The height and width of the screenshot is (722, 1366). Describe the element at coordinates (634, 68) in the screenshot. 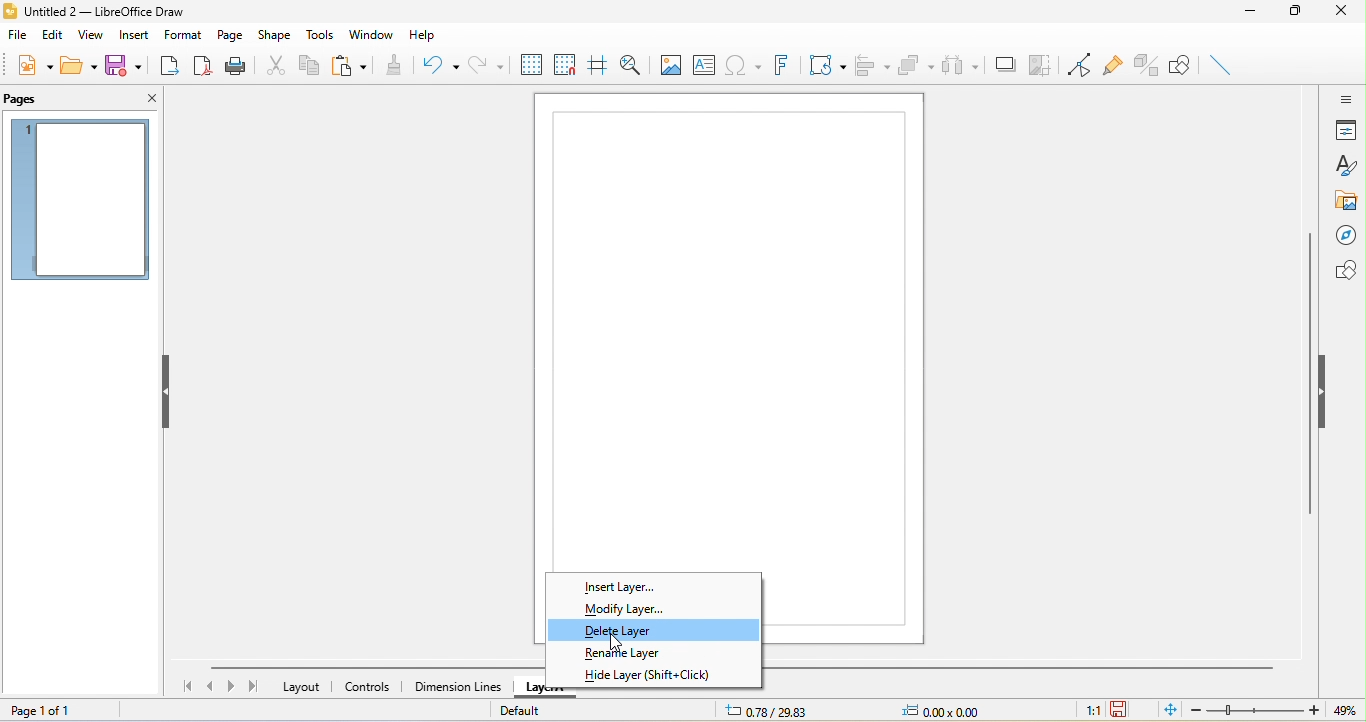

I see `zoom and pan` at that location.